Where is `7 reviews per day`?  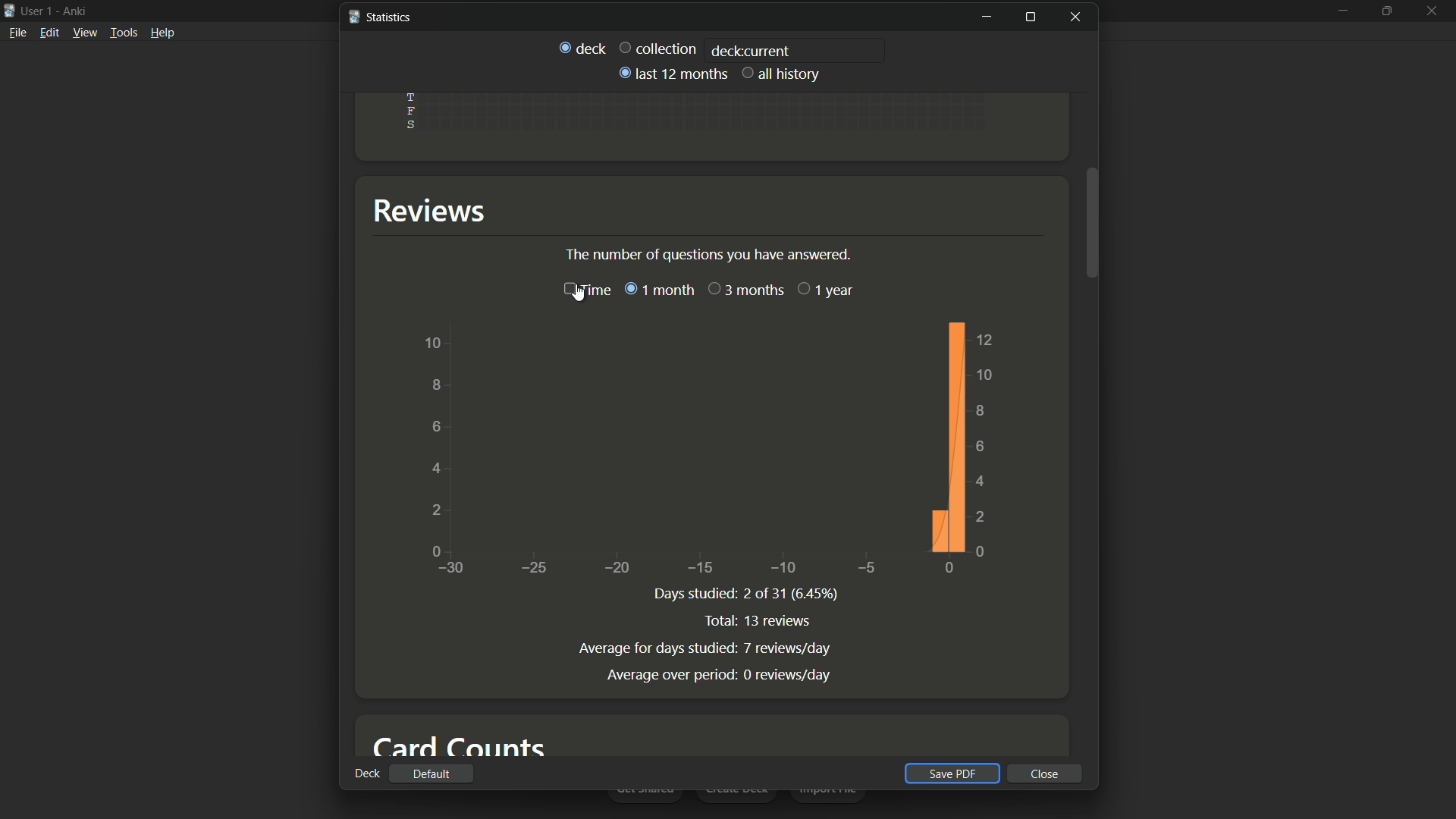
7 reviews per day is located at coordinates (789, 649).